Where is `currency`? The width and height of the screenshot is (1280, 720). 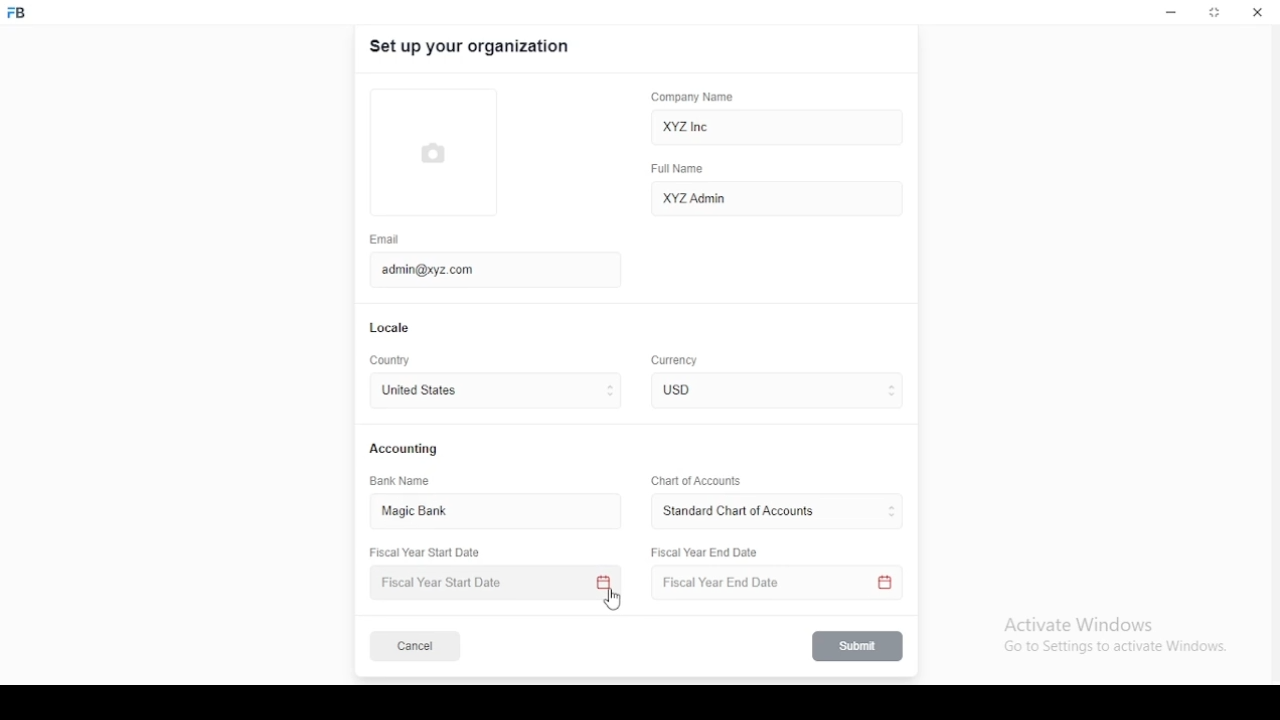
currency is located at coordinates (689, 390).